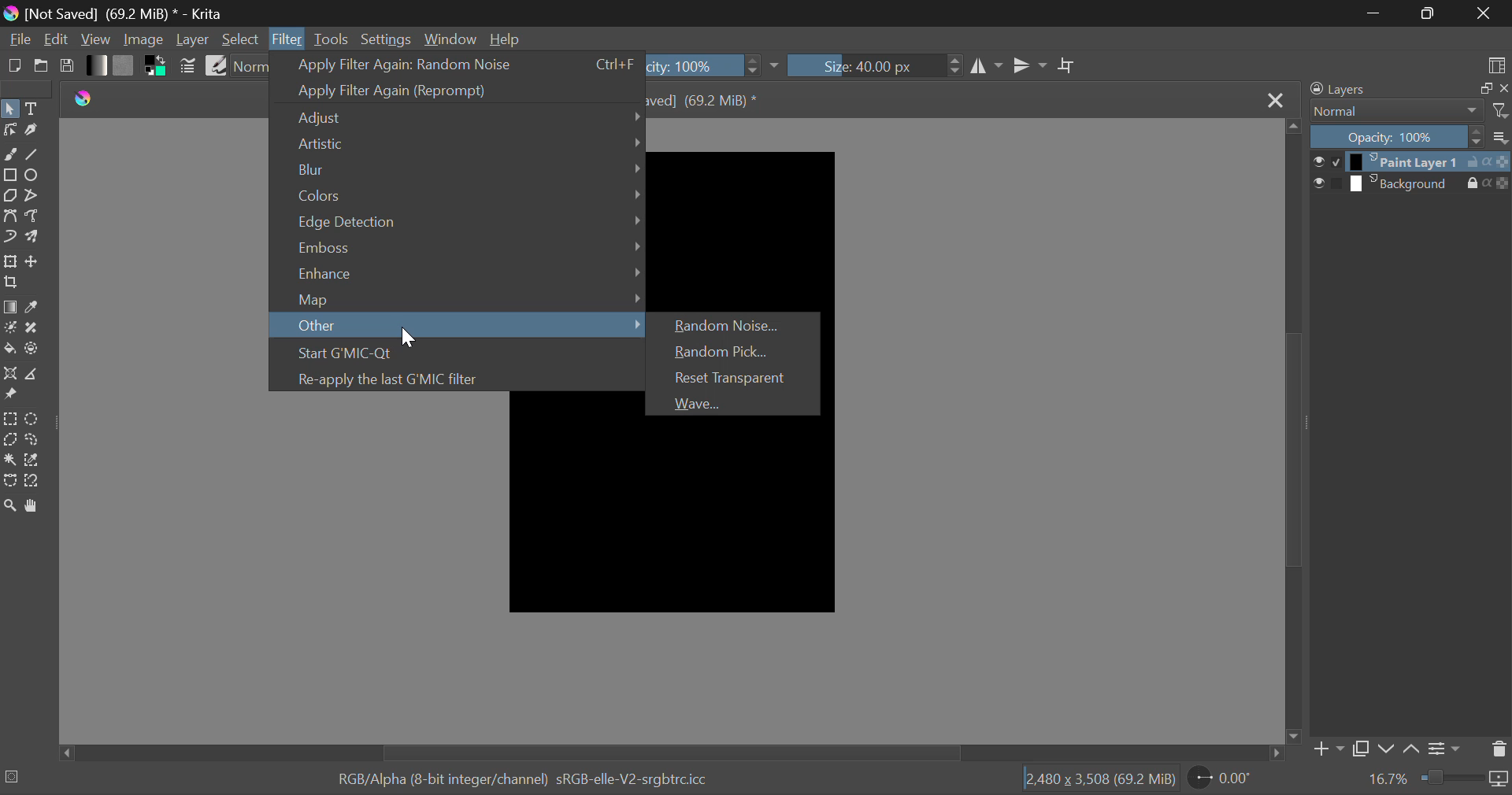 This screenshot has height=795, width=1512. I want to click on Polygons, so click(10, 197).